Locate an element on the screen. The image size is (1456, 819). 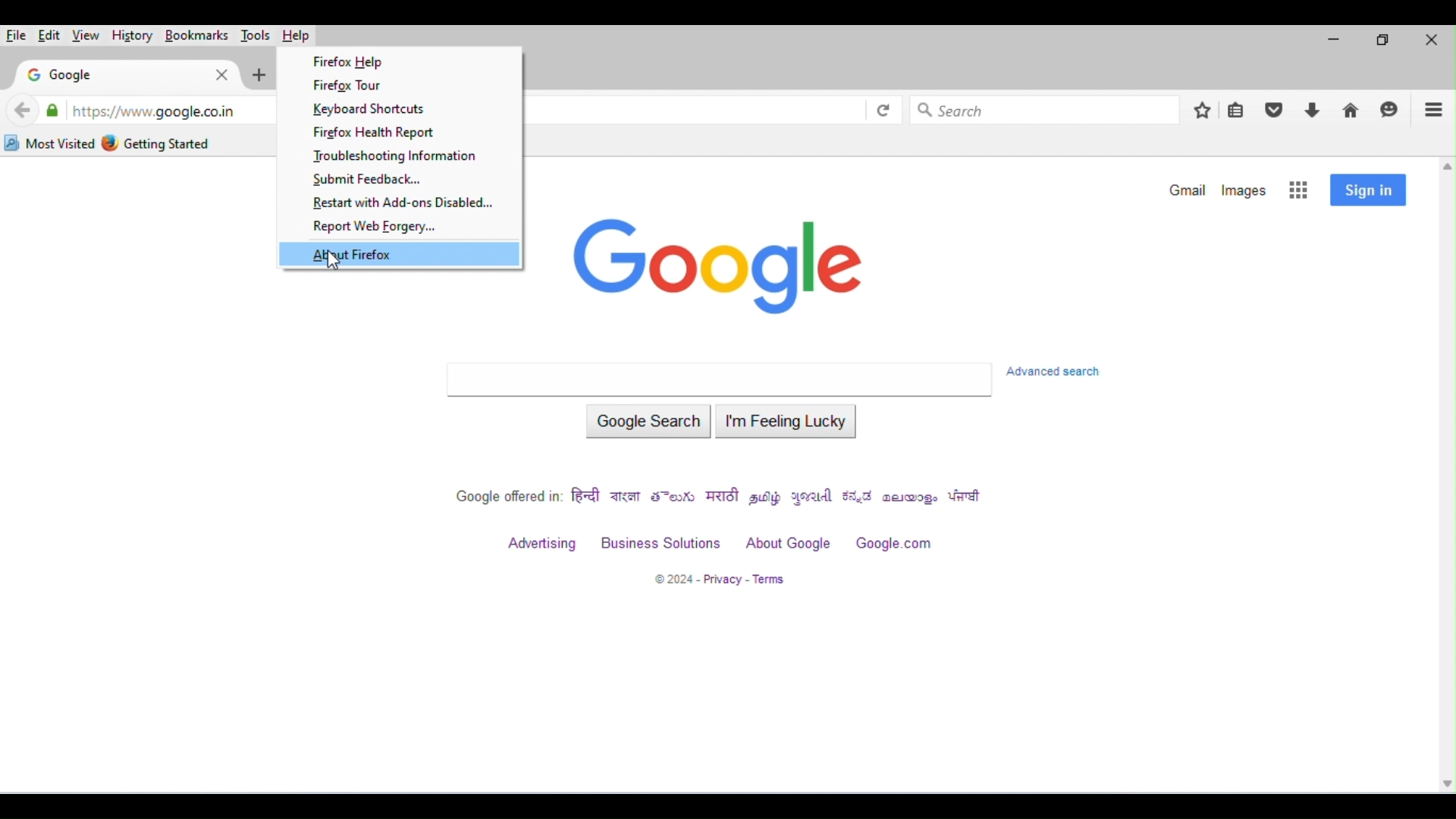
troubleshooting information is located at coordinates (403, 155).